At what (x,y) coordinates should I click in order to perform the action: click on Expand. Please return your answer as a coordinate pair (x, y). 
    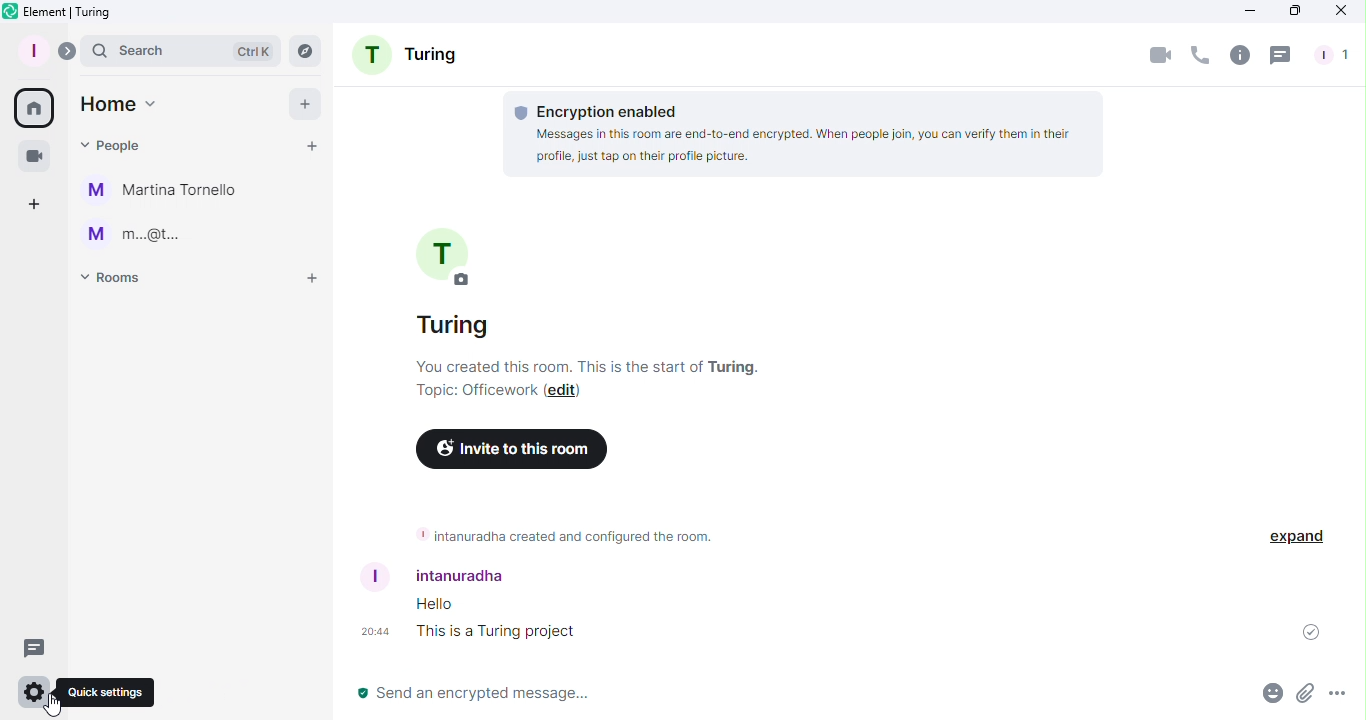
    Looking at the image, I should click on (1294, 537).